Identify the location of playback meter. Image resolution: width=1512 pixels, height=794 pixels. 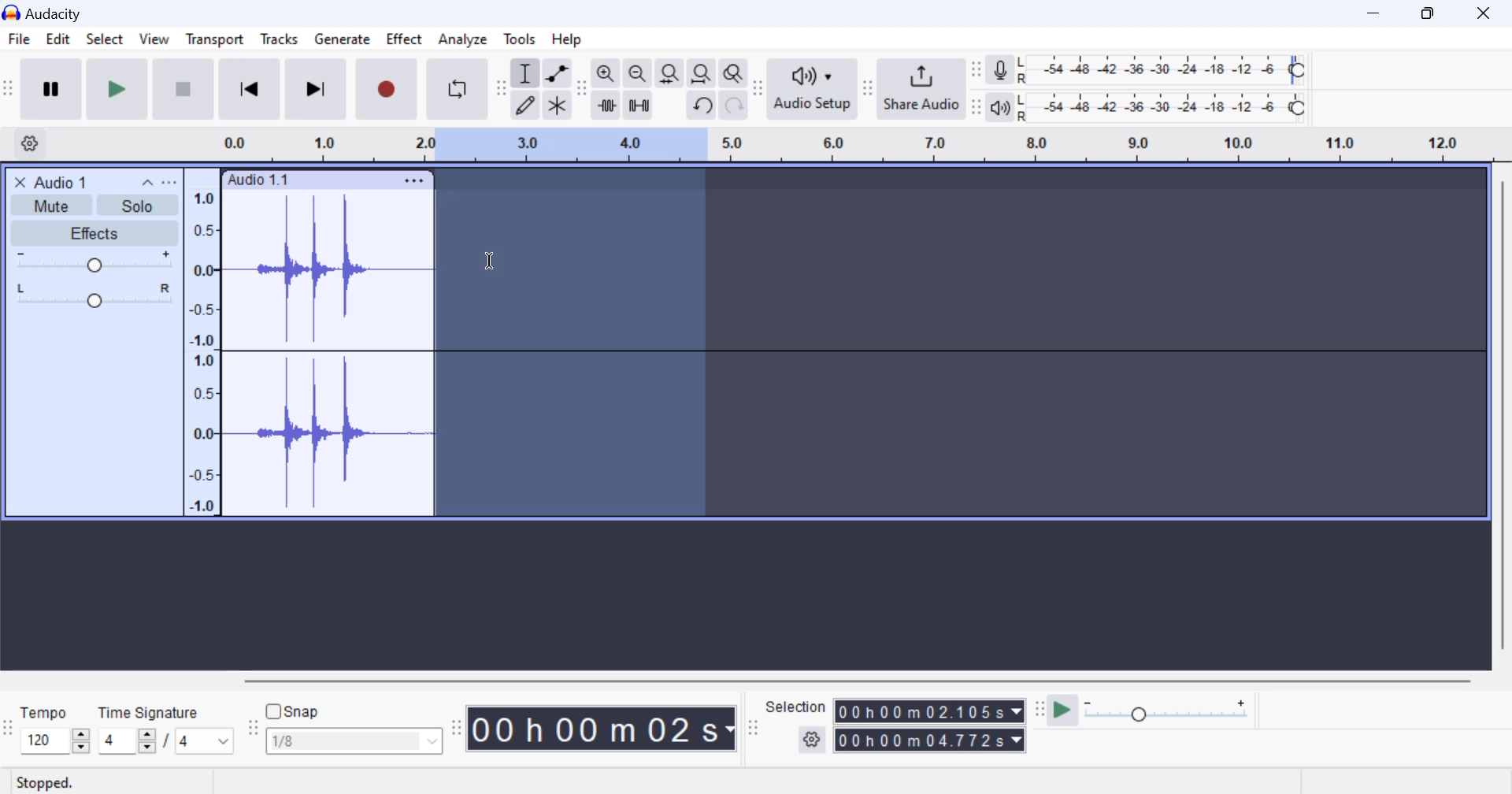
(1001, 107).